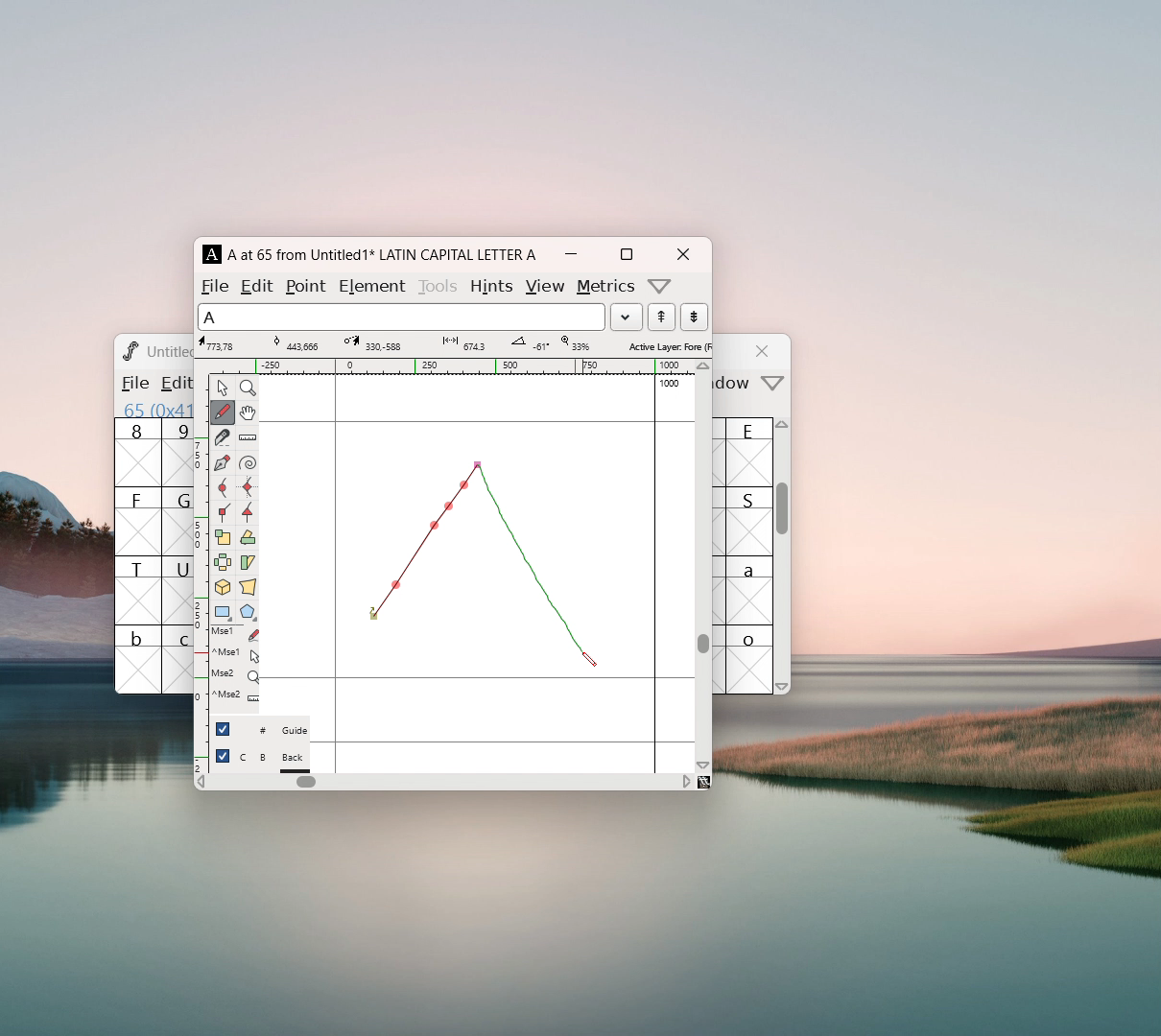 This screenshot has width=1161, height=1036. I want to click on U, so click(178, 590).